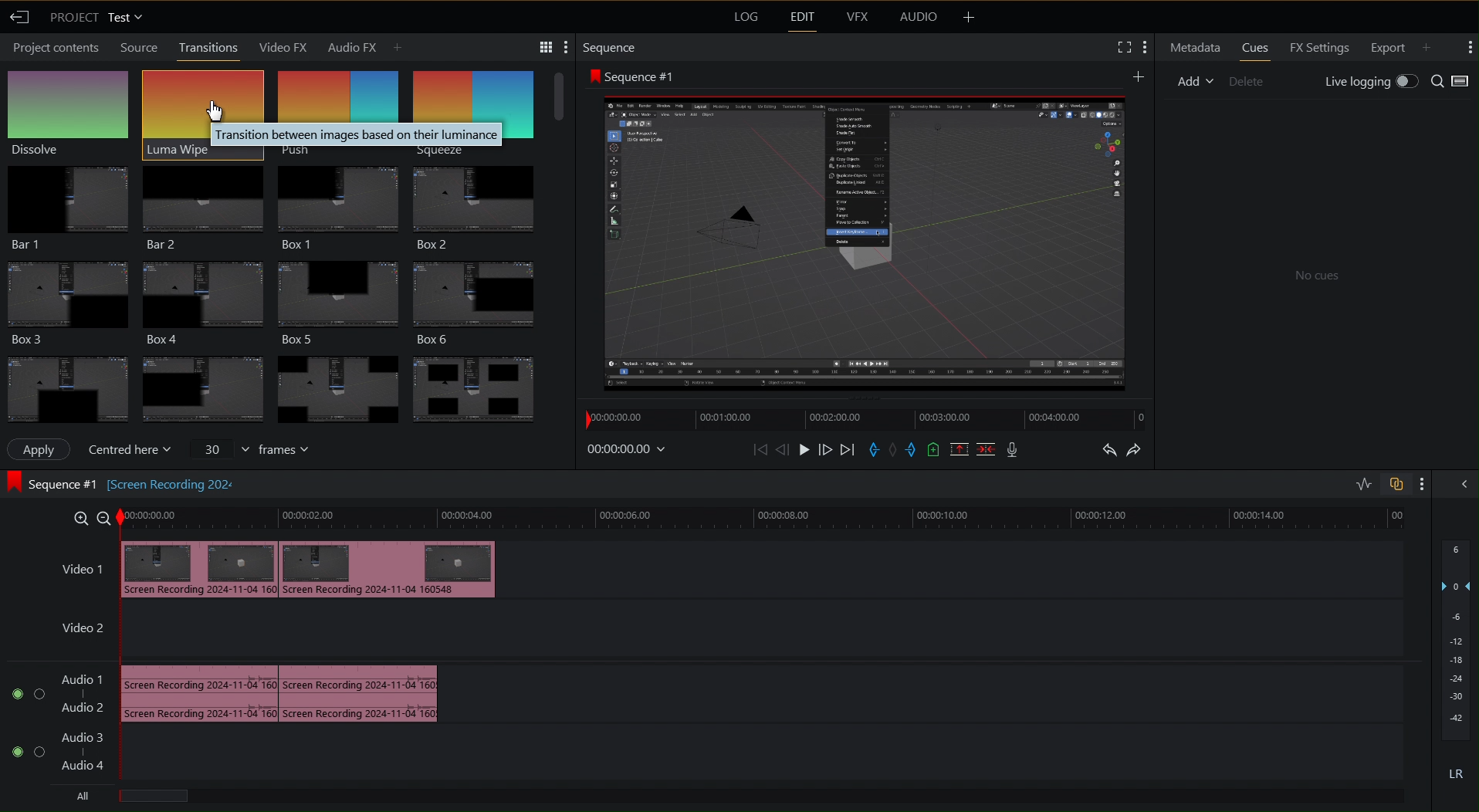 The width and height of the screenshot is (1479, 812). Describe the element at coordinates (66, 300) in the screenshot. I see `Box 3` at that location.